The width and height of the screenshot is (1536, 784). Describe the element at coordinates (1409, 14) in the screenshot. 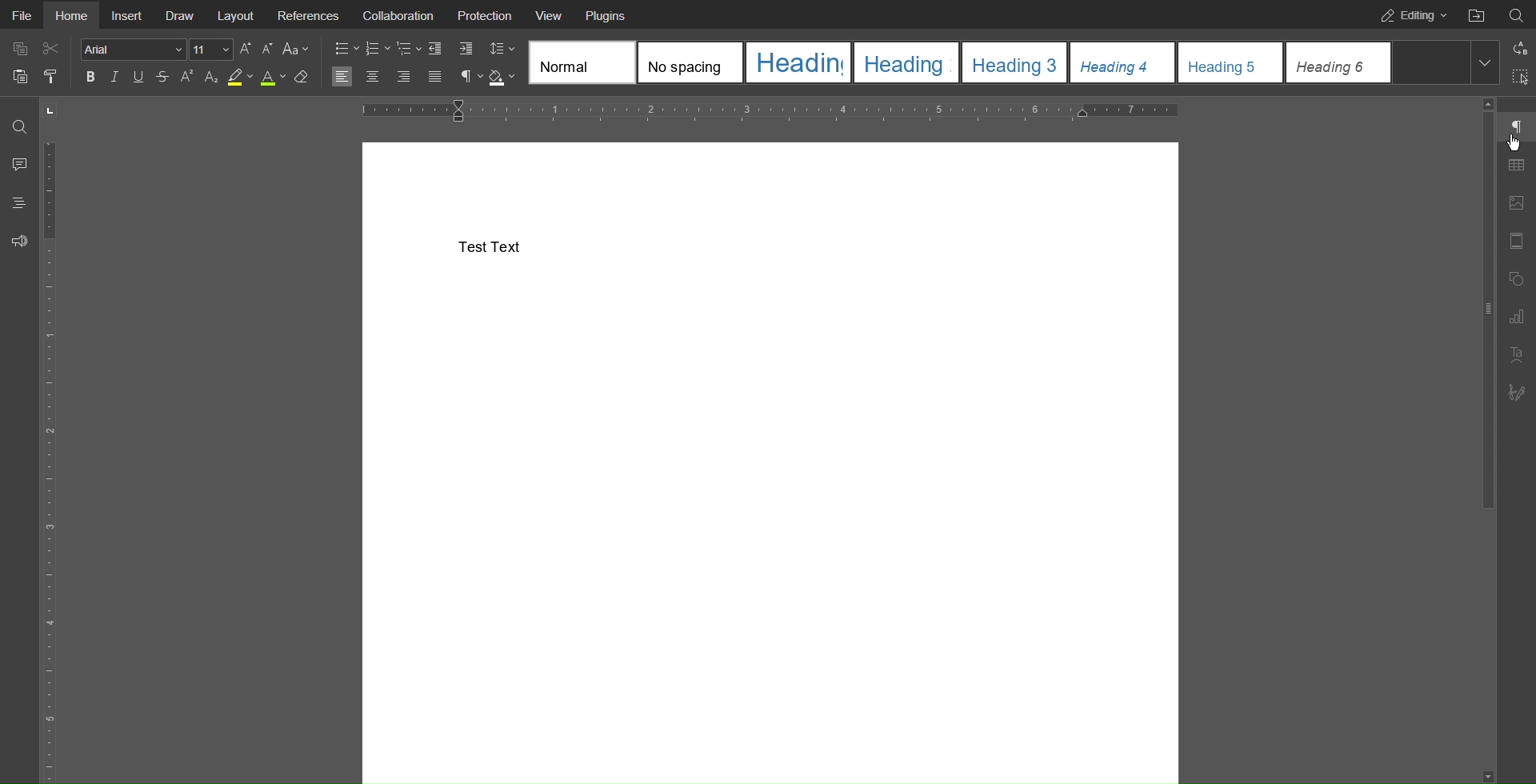

I see `Editing` at that location.